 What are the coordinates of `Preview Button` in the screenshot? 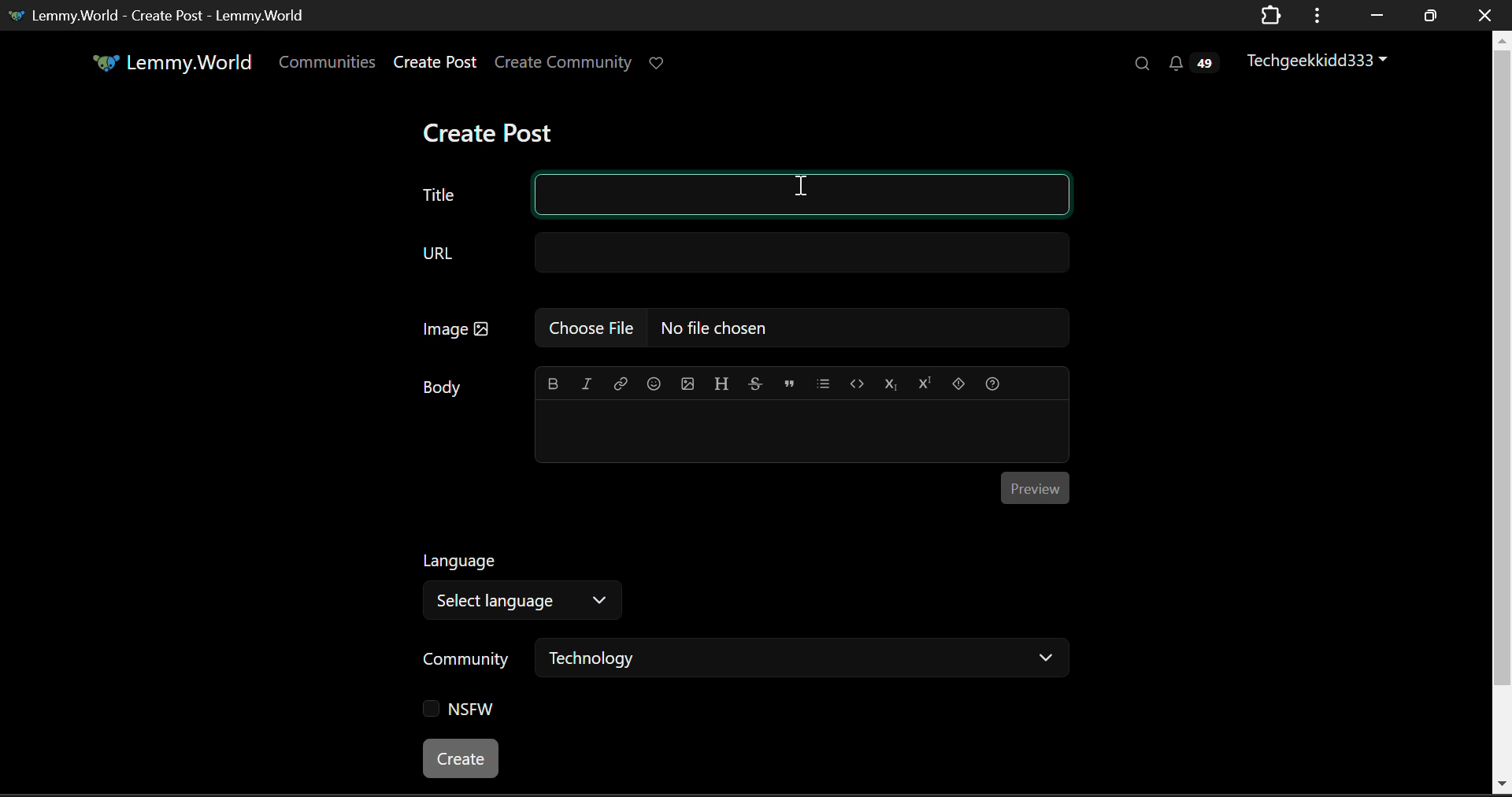 It's located at (1035, 489).